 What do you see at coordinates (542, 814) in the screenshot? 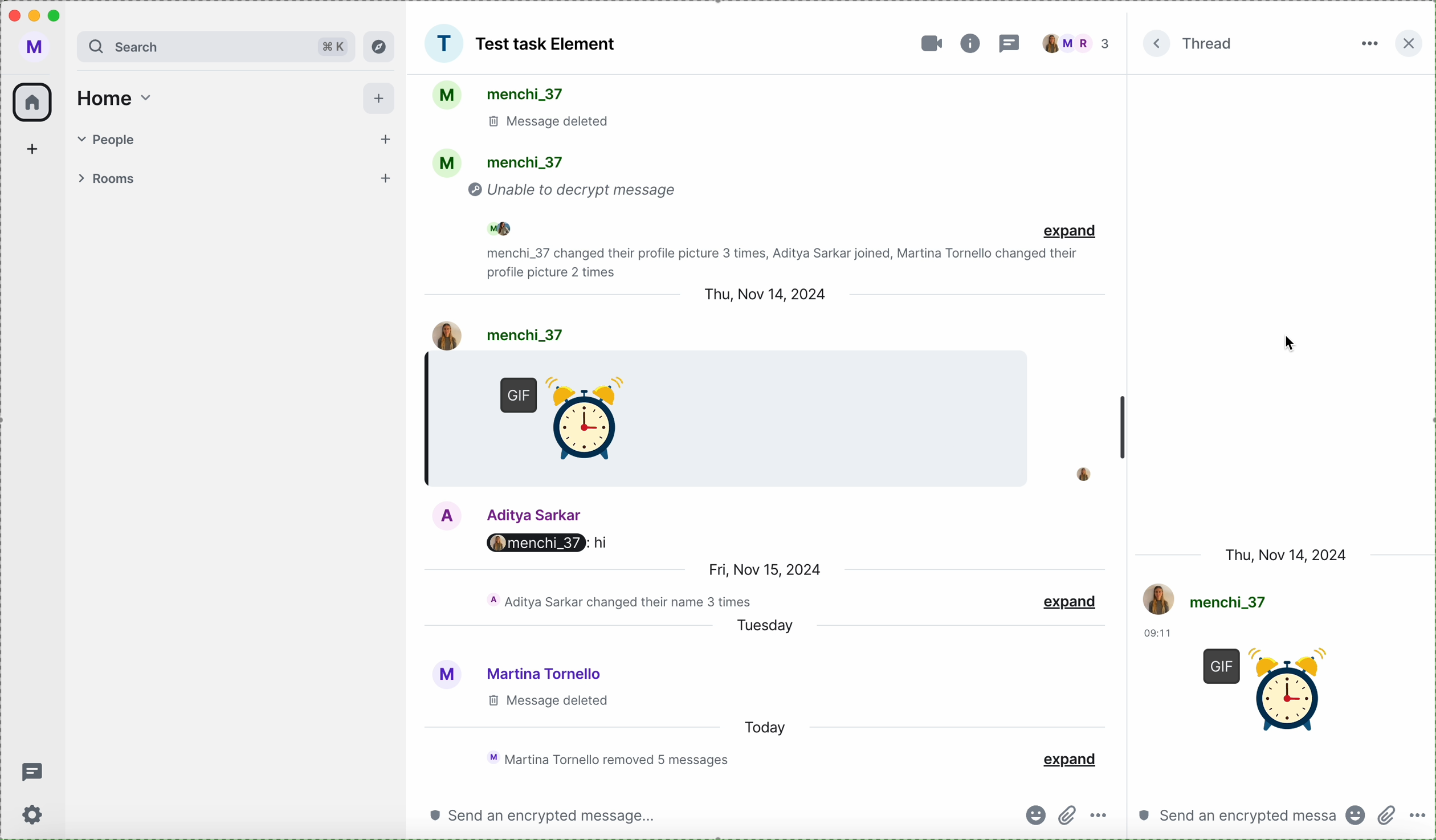
I see `send a message` at bounding box center [542, 814].